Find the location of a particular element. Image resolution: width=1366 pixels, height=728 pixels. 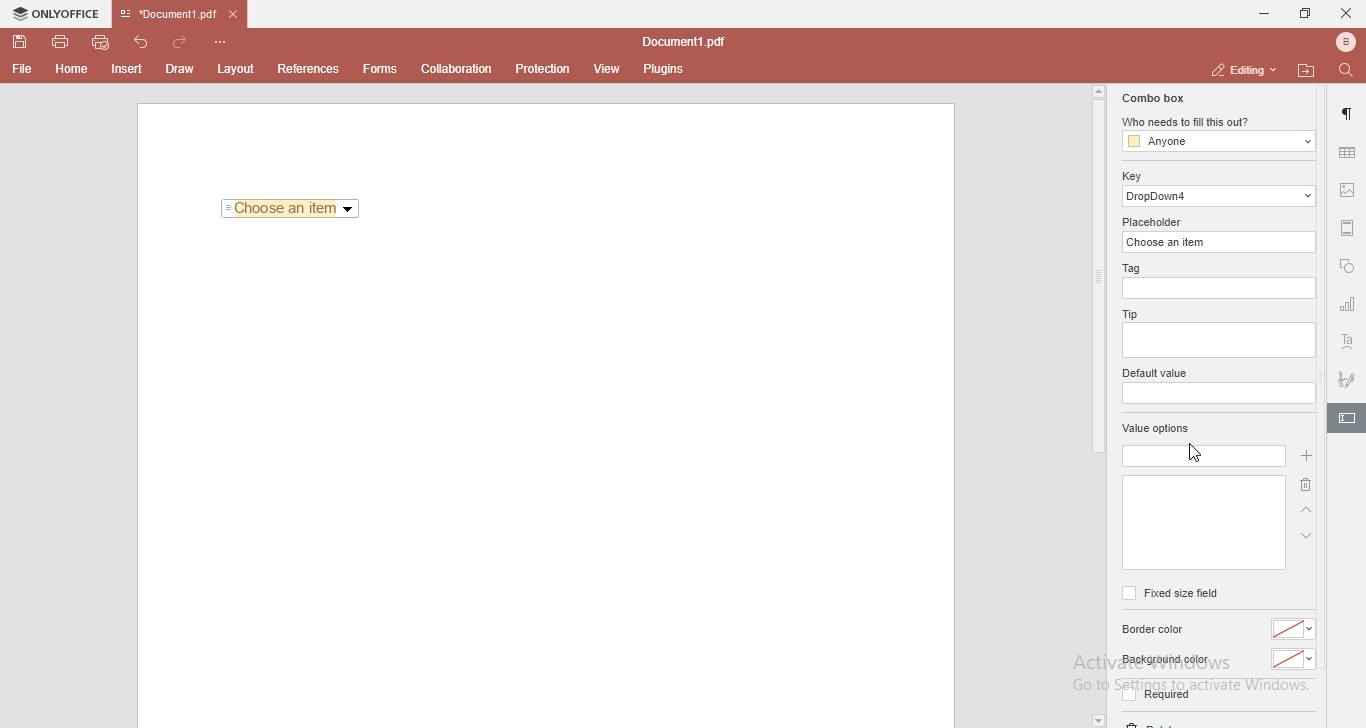

customise quick access toolbar is located at coordinates (224, 41).